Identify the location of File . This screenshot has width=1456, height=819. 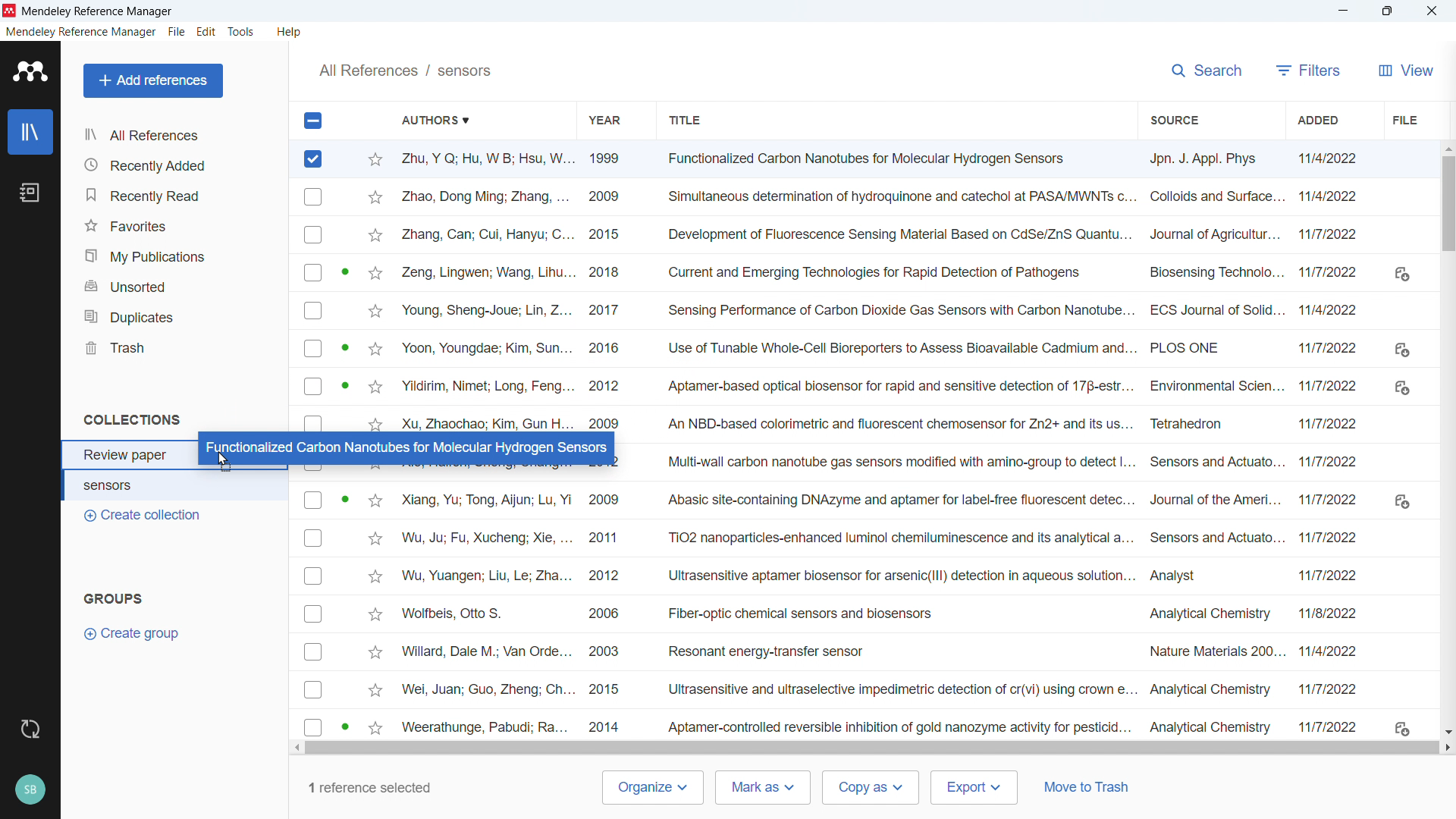
(177, 32).